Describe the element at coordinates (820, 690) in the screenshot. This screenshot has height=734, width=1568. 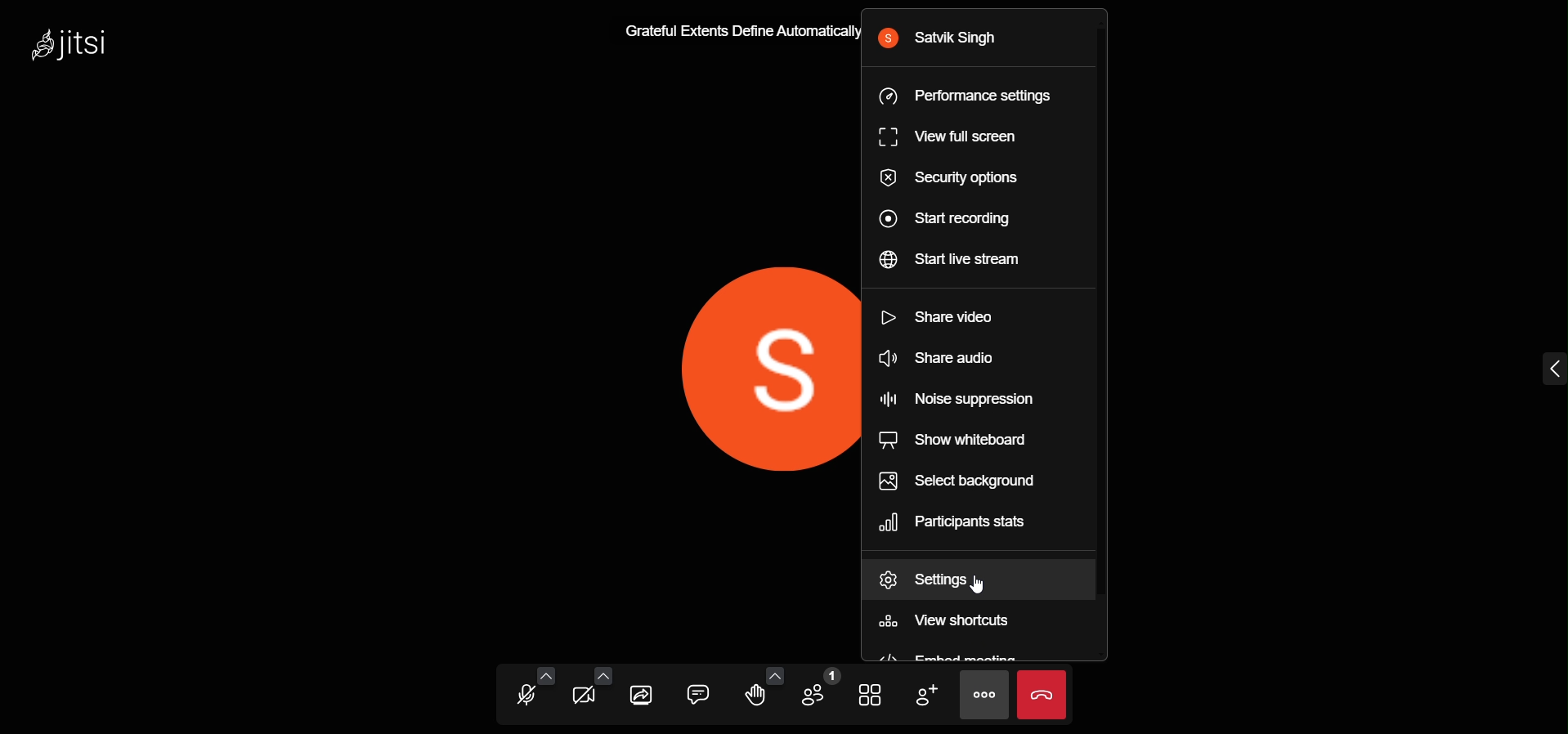
I see `participants` at that location.